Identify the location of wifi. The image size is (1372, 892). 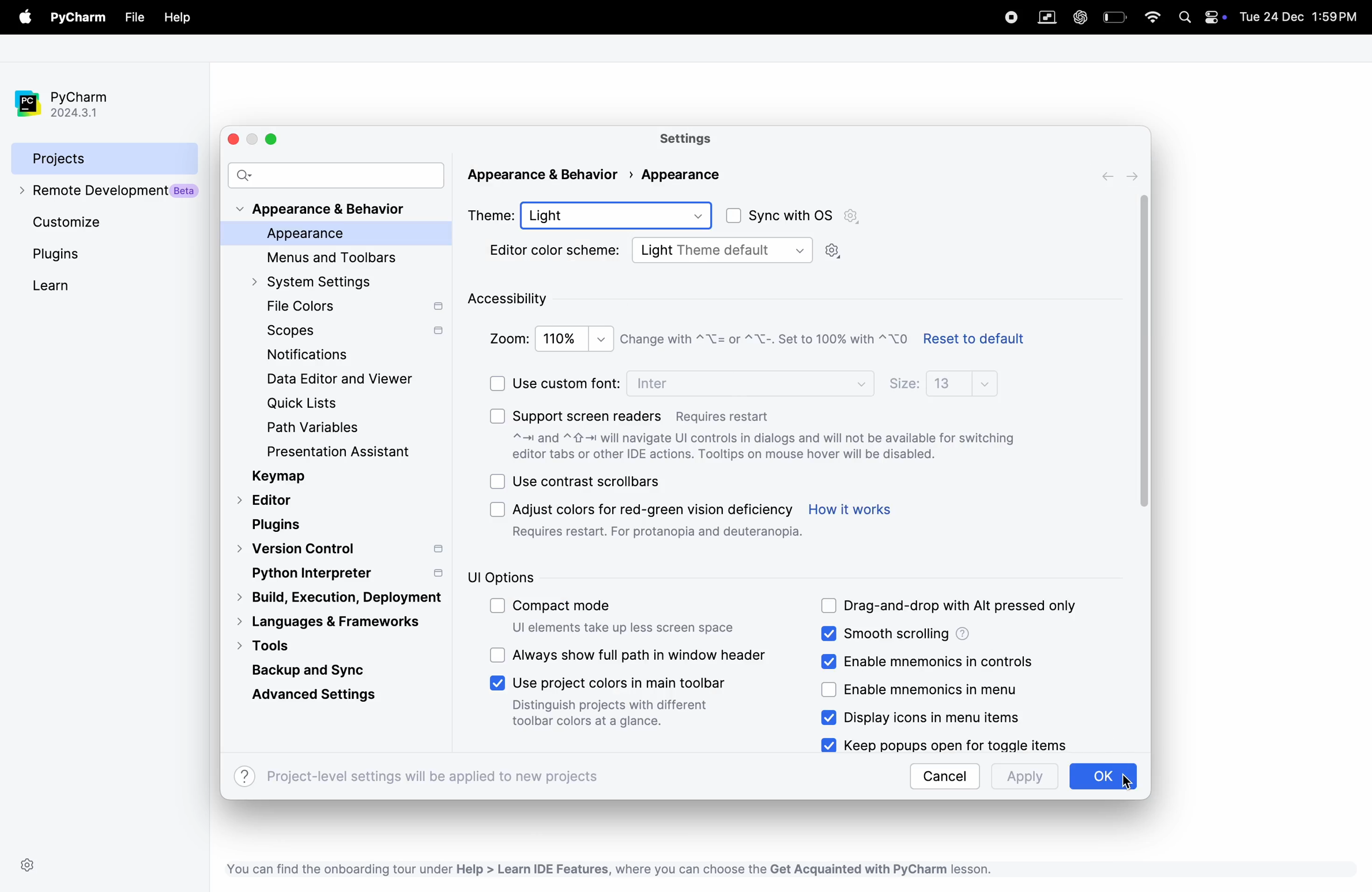
(1152, 19).